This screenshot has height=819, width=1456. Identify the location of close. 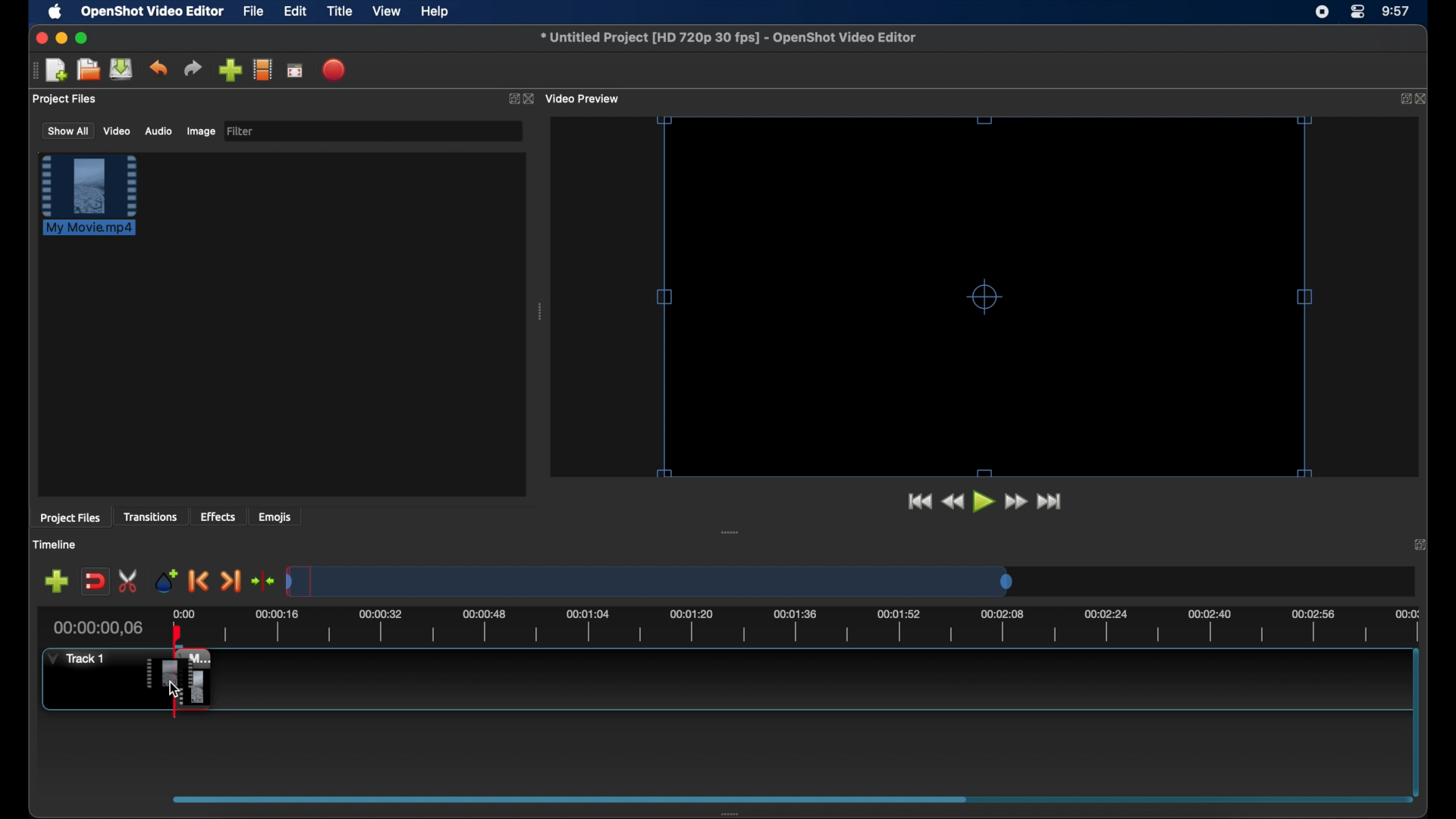
(531, 99).